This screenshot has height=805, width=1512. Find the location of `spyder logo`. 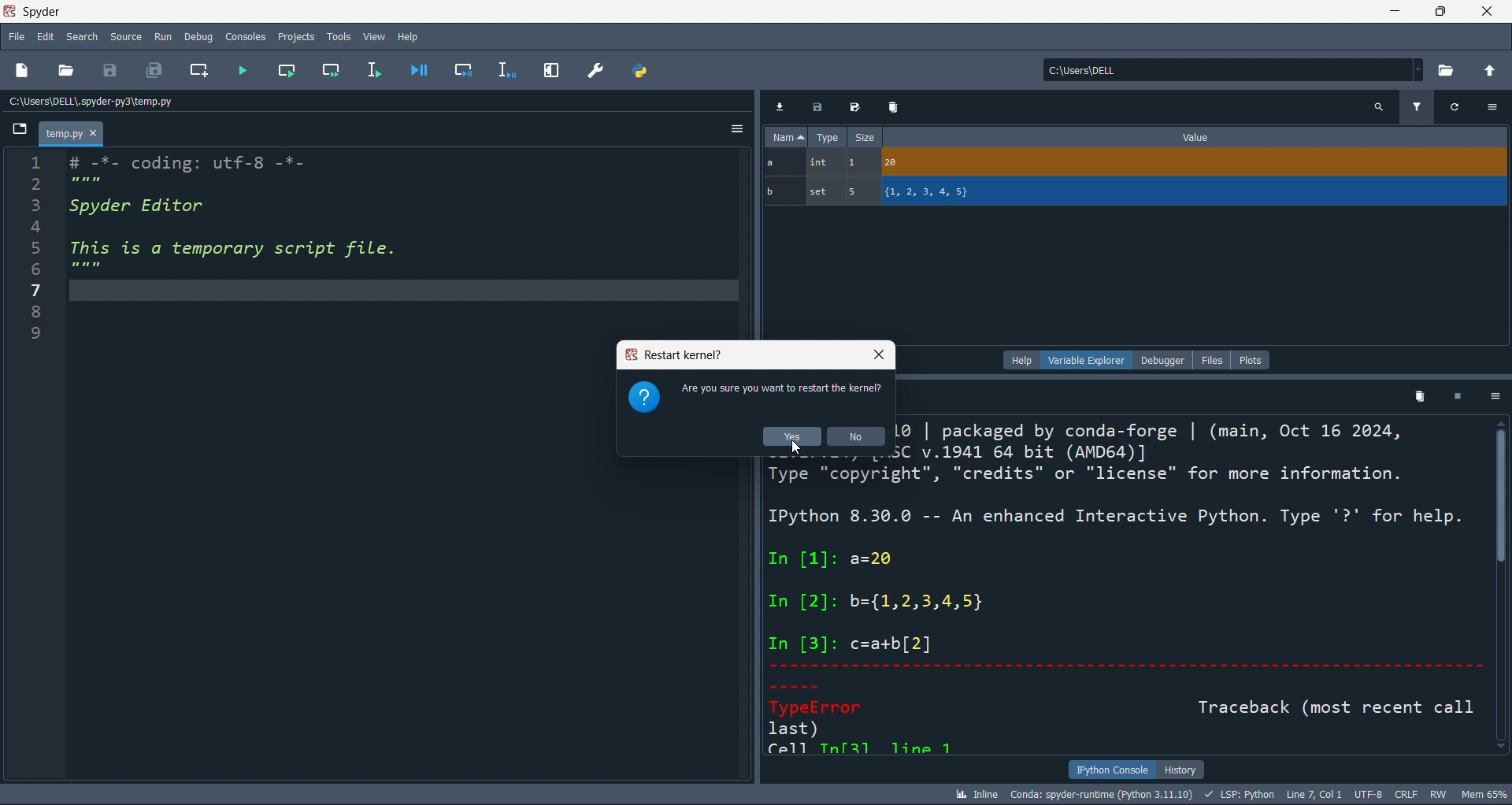

spyder logo is located at coordinates (10, 12).